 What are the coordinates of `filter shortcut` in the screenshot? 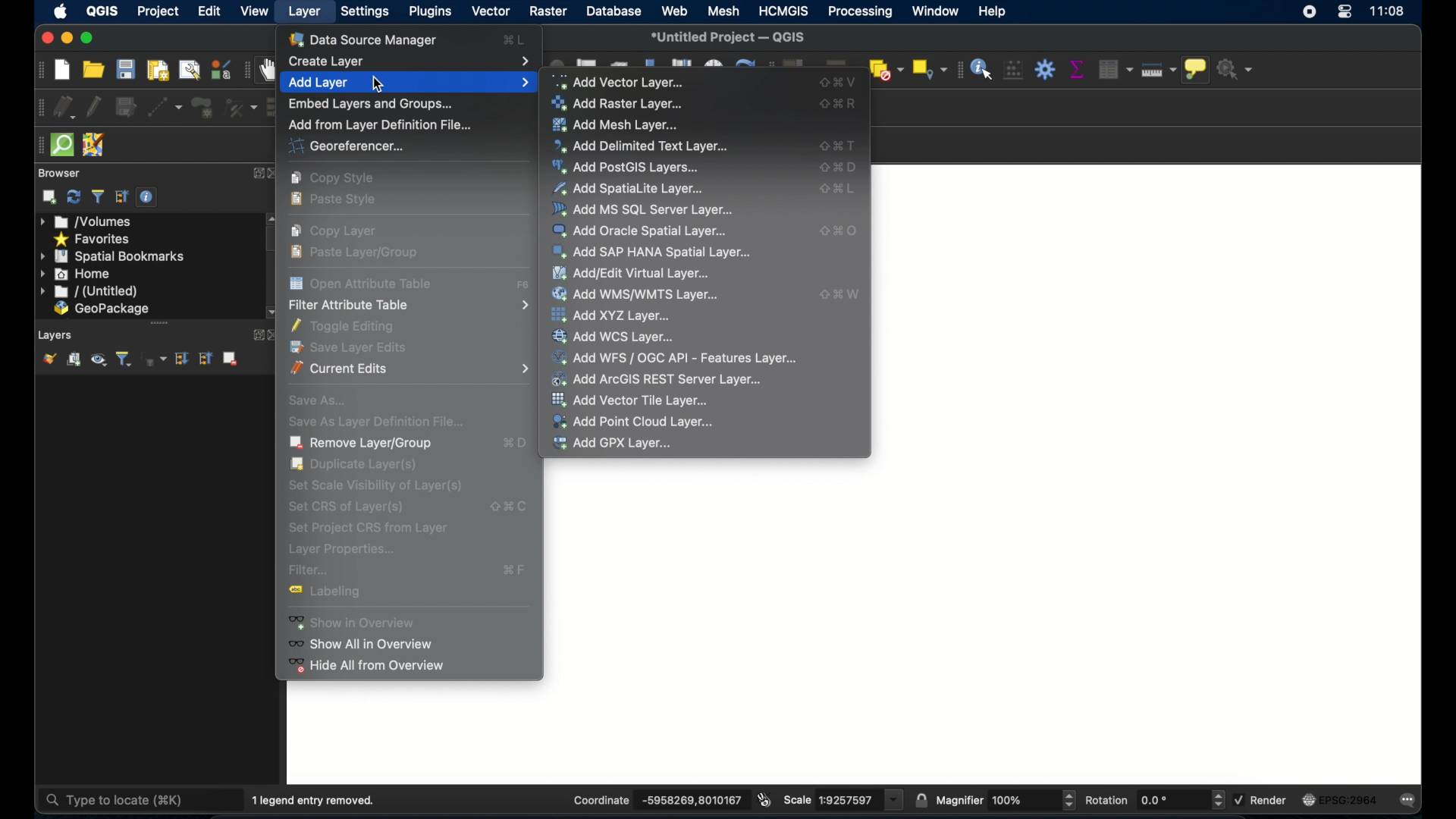 It's located at (516, 570).